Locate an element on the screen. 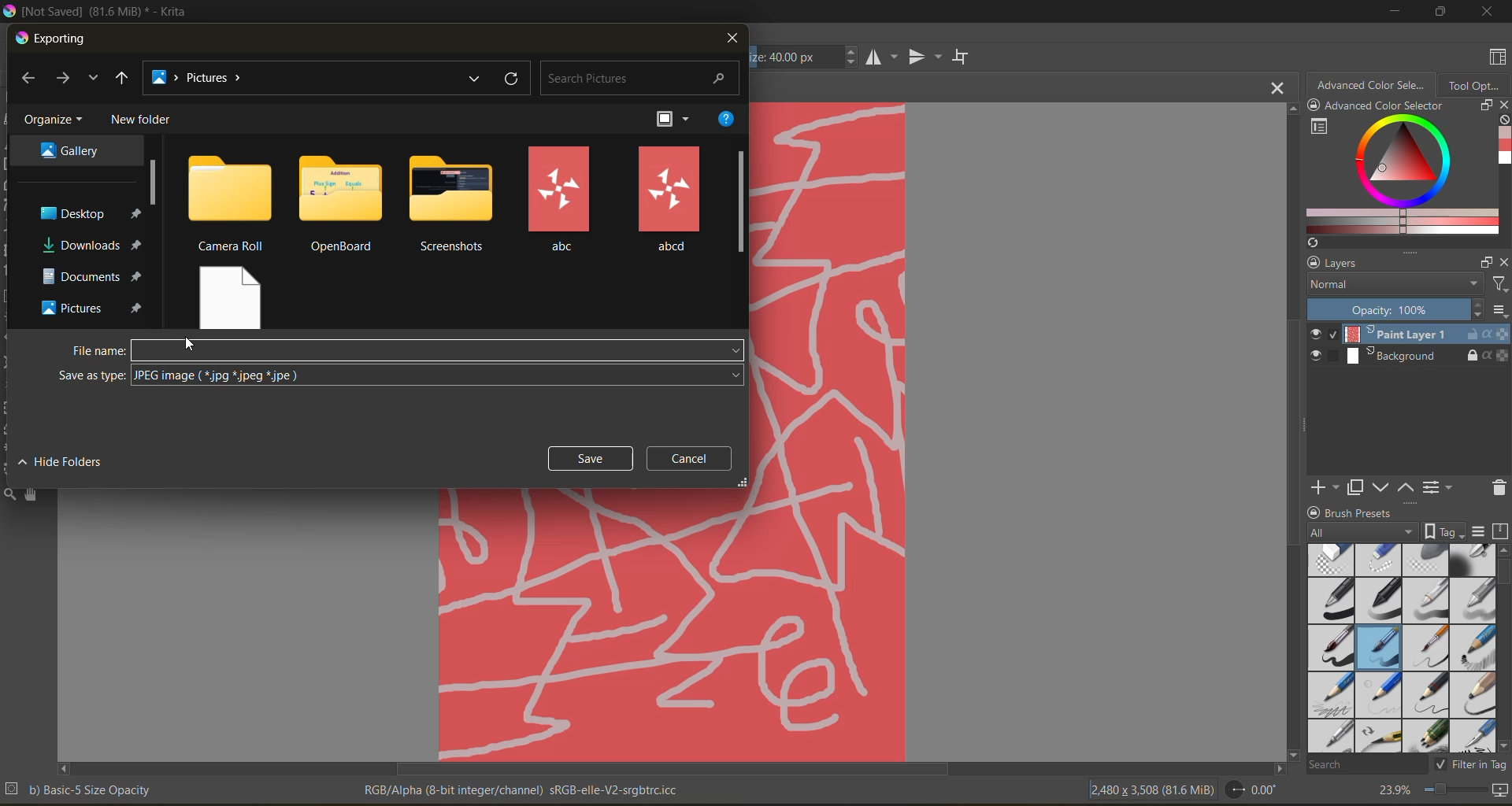 This screenshot has width=1512, height=806. layers is located at coordinates (1398, 264).